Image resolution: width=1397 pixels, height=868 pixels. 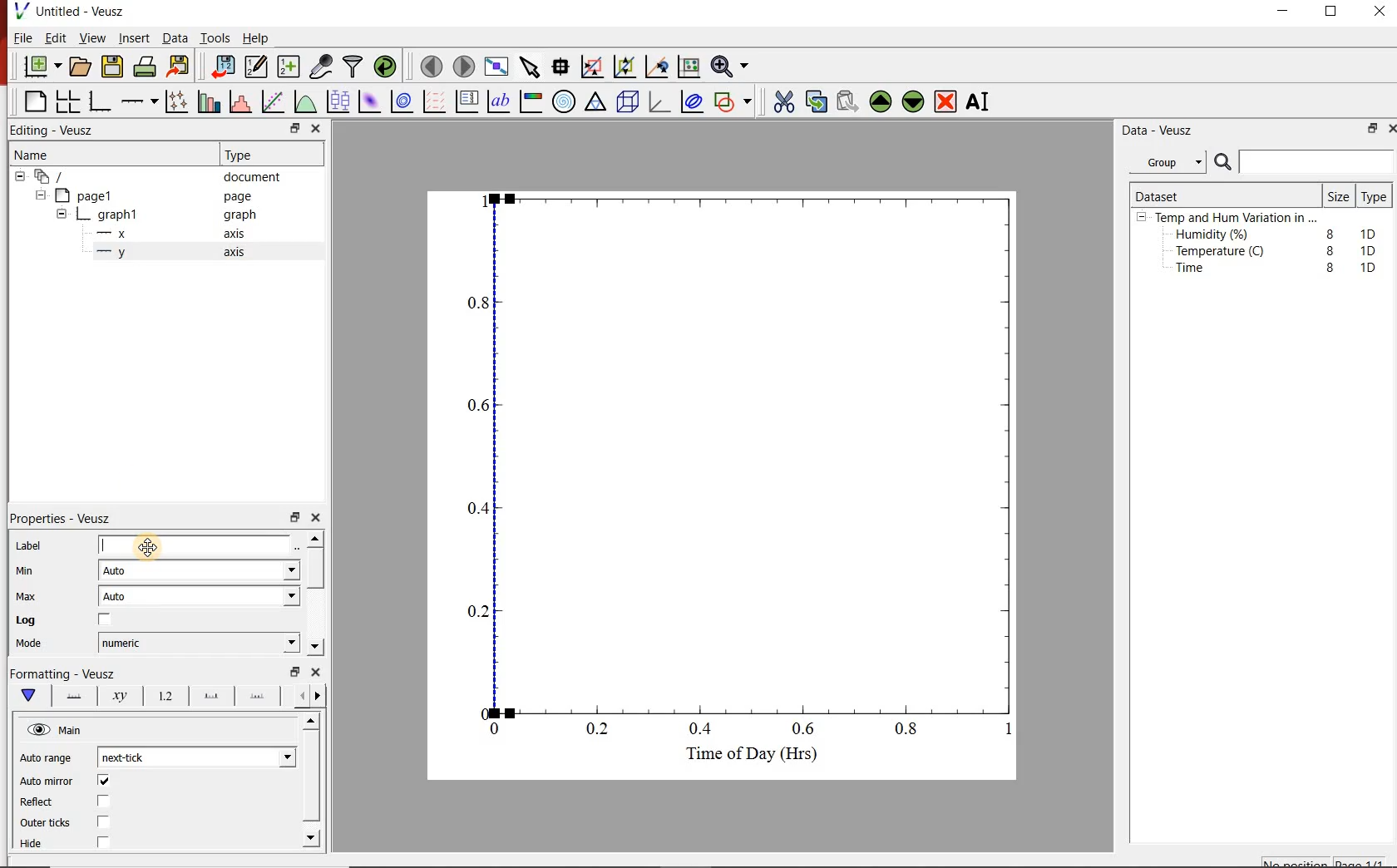 What do you see at coordinates (81, 67) in the screenshot?
I see `open a document` at bounding box center [81, 67].